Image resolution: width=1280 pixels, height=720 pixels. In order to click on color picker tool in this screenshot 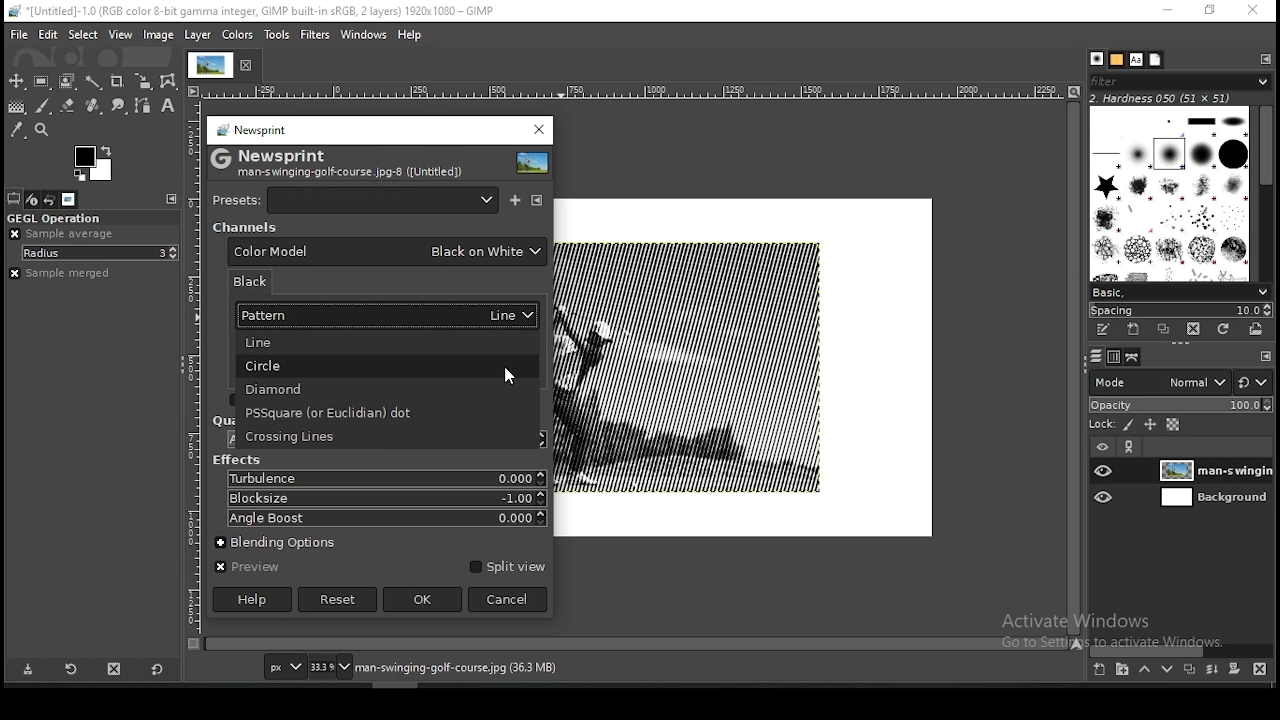, I will do `click(17, 129)`.